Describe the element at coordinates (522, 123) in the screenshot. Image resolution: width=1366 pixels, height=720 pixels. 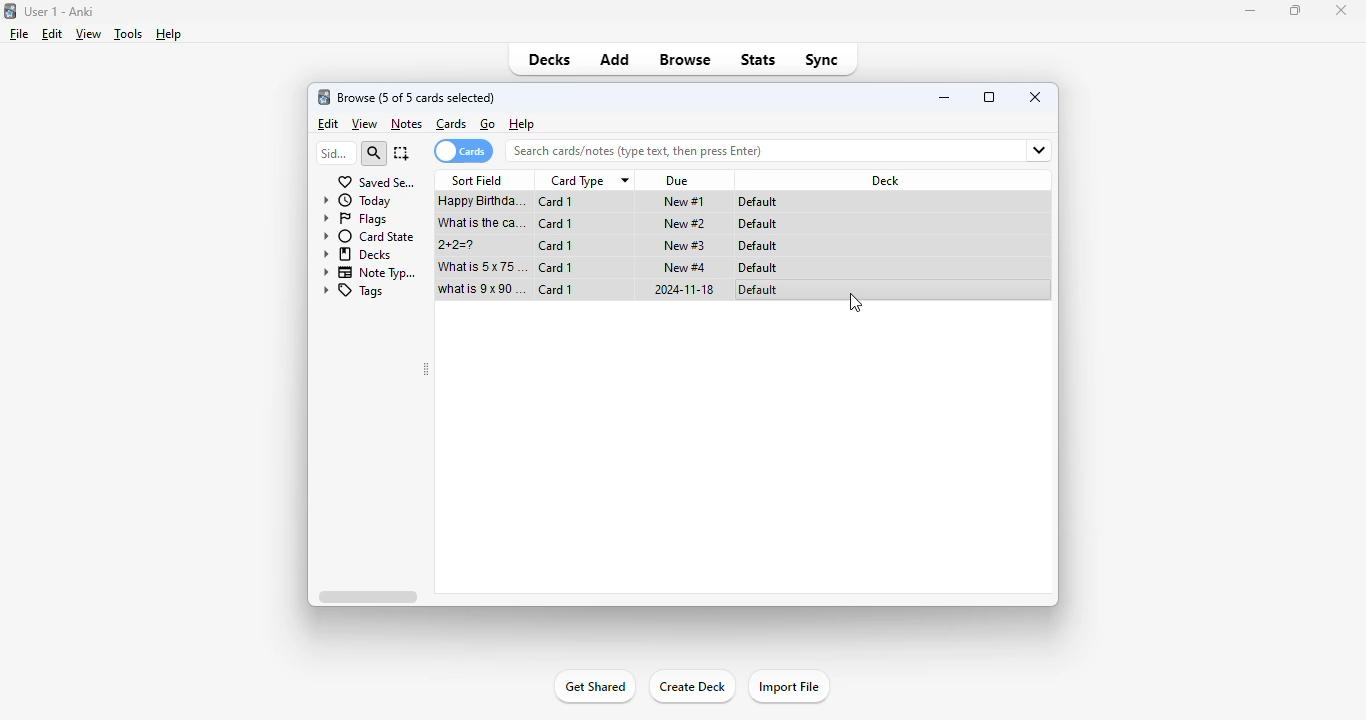
I see `help` at that location.